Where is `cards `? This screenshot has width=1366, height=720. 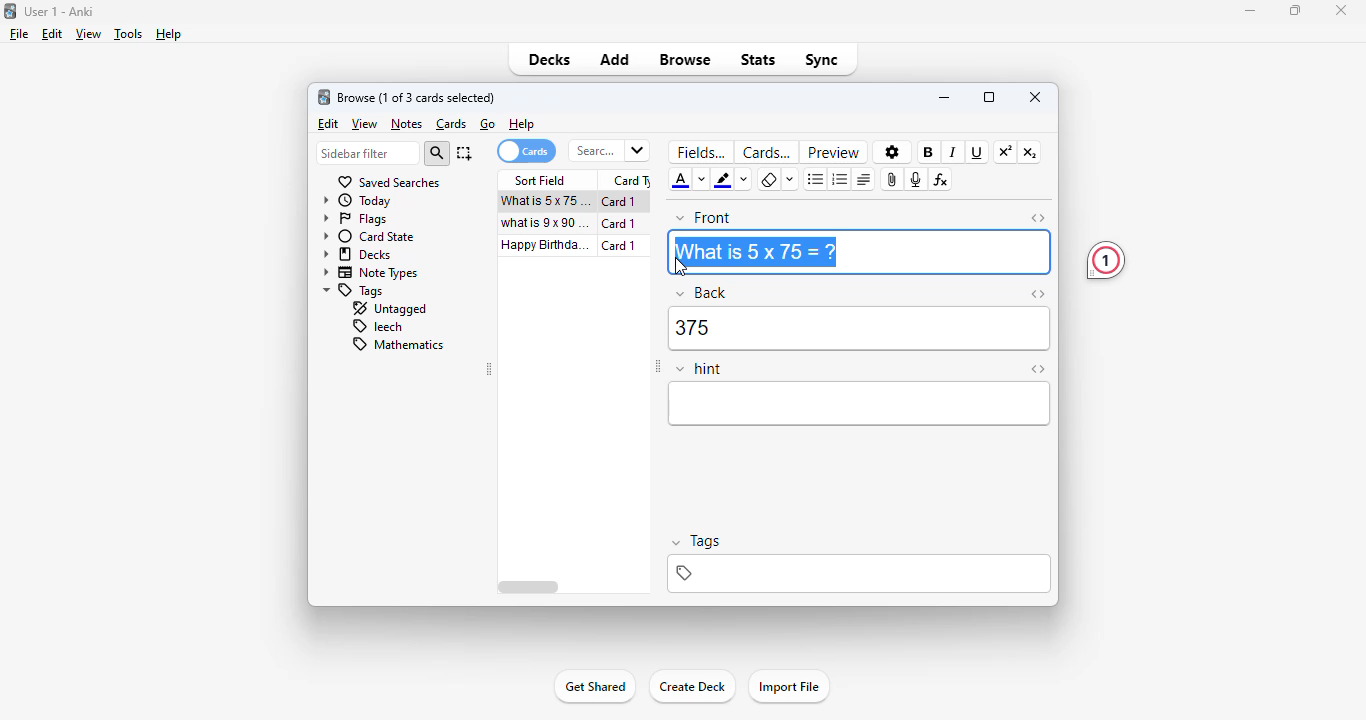
cards  is located at coordinates (766, 153).